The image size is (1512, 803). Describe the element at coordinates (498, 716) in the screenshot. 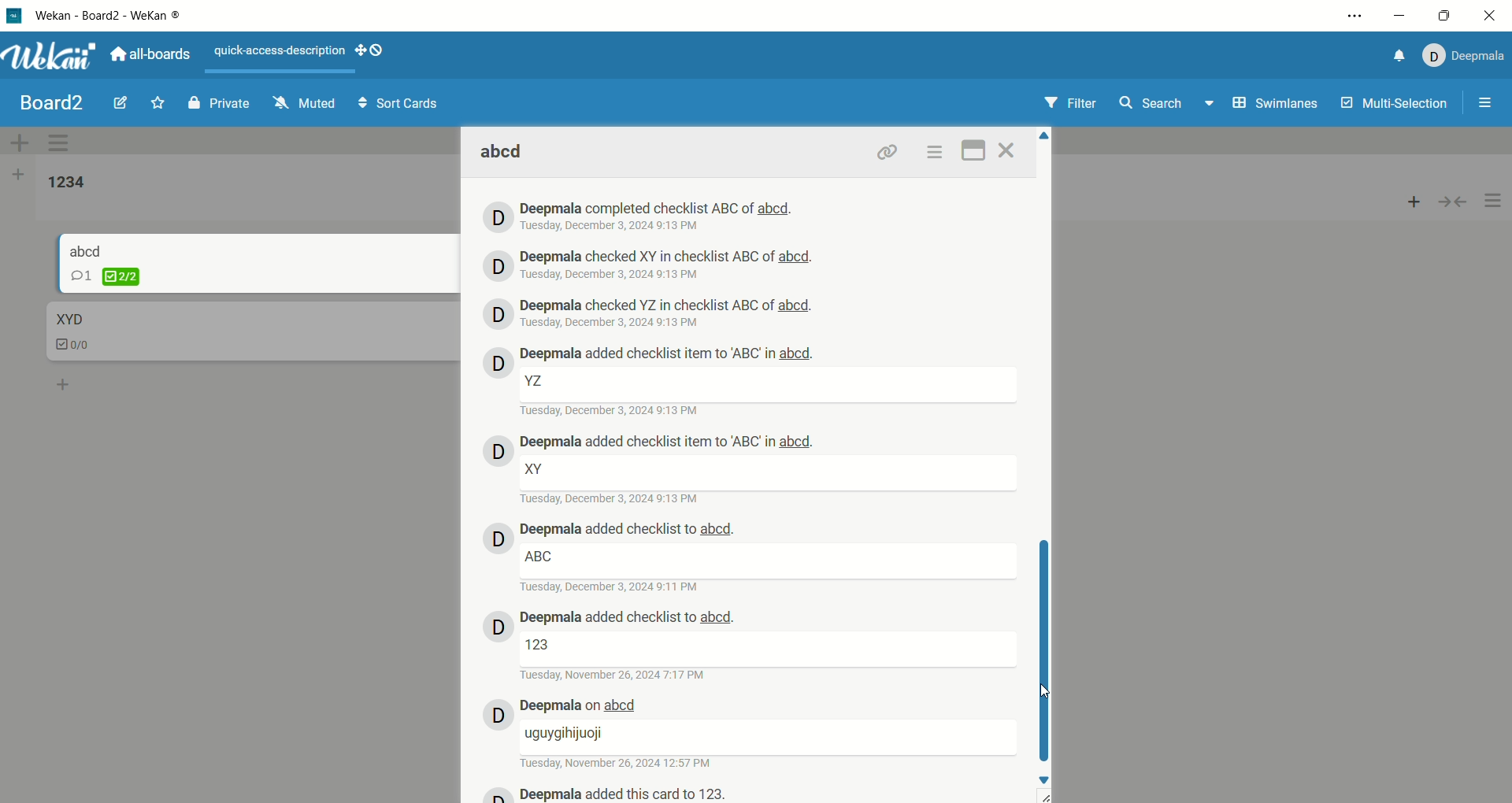

I see `avatar` at that location.